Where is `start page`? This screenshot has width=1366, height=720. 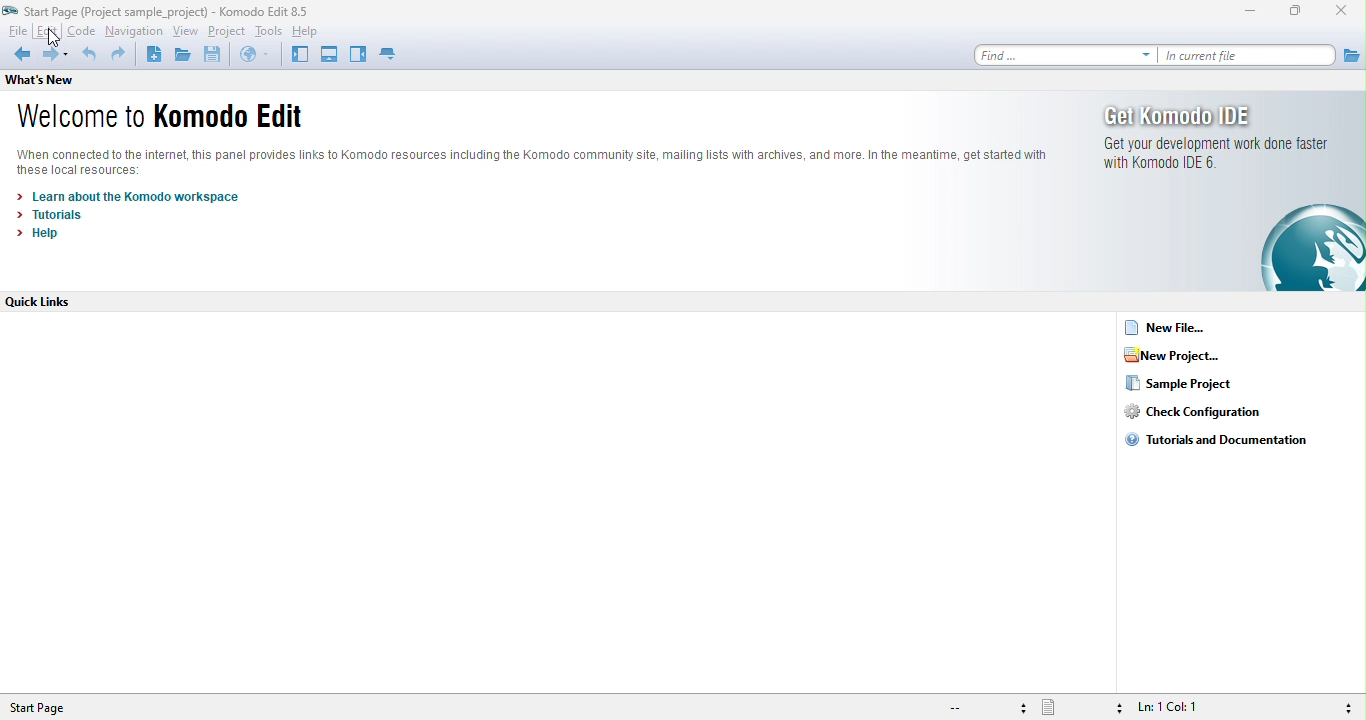
start page is located at coordinates (48, 708).